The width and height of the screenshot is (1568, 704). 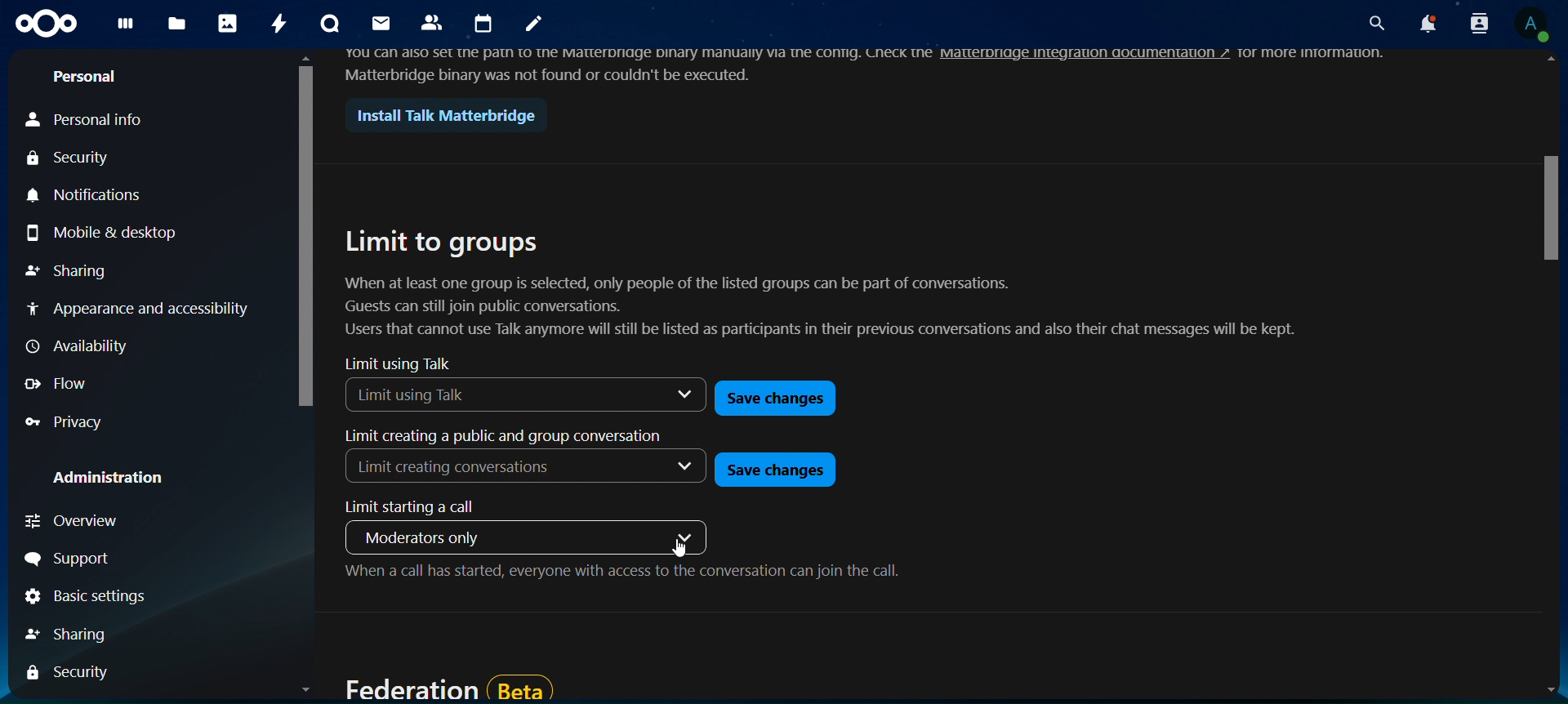 What do you see at coordinates (229, 25) in the screenshot?
I see `photos` at bounding box center [229, 25].